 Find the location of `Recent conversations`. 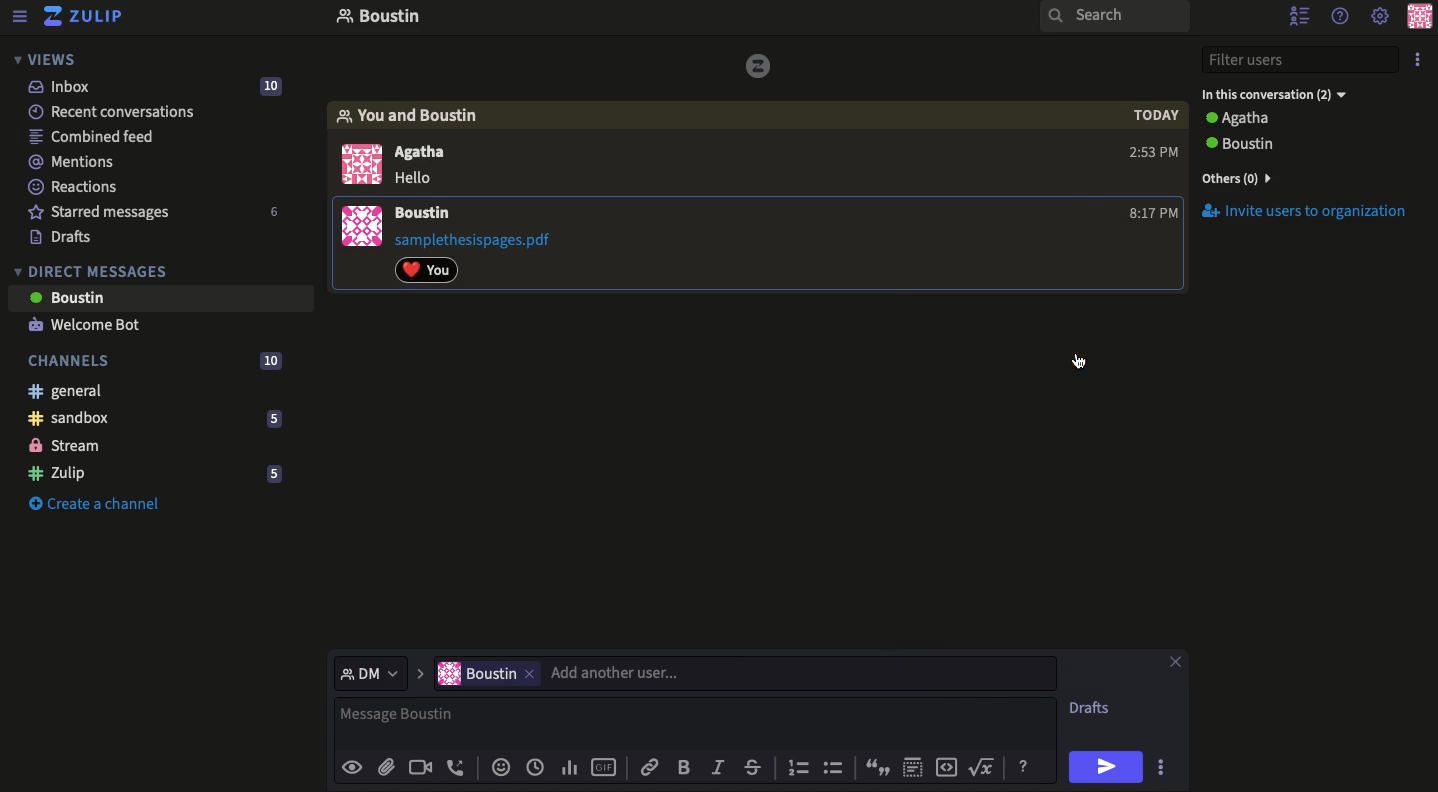

Recent conversations is located at coordinates (113, 112).